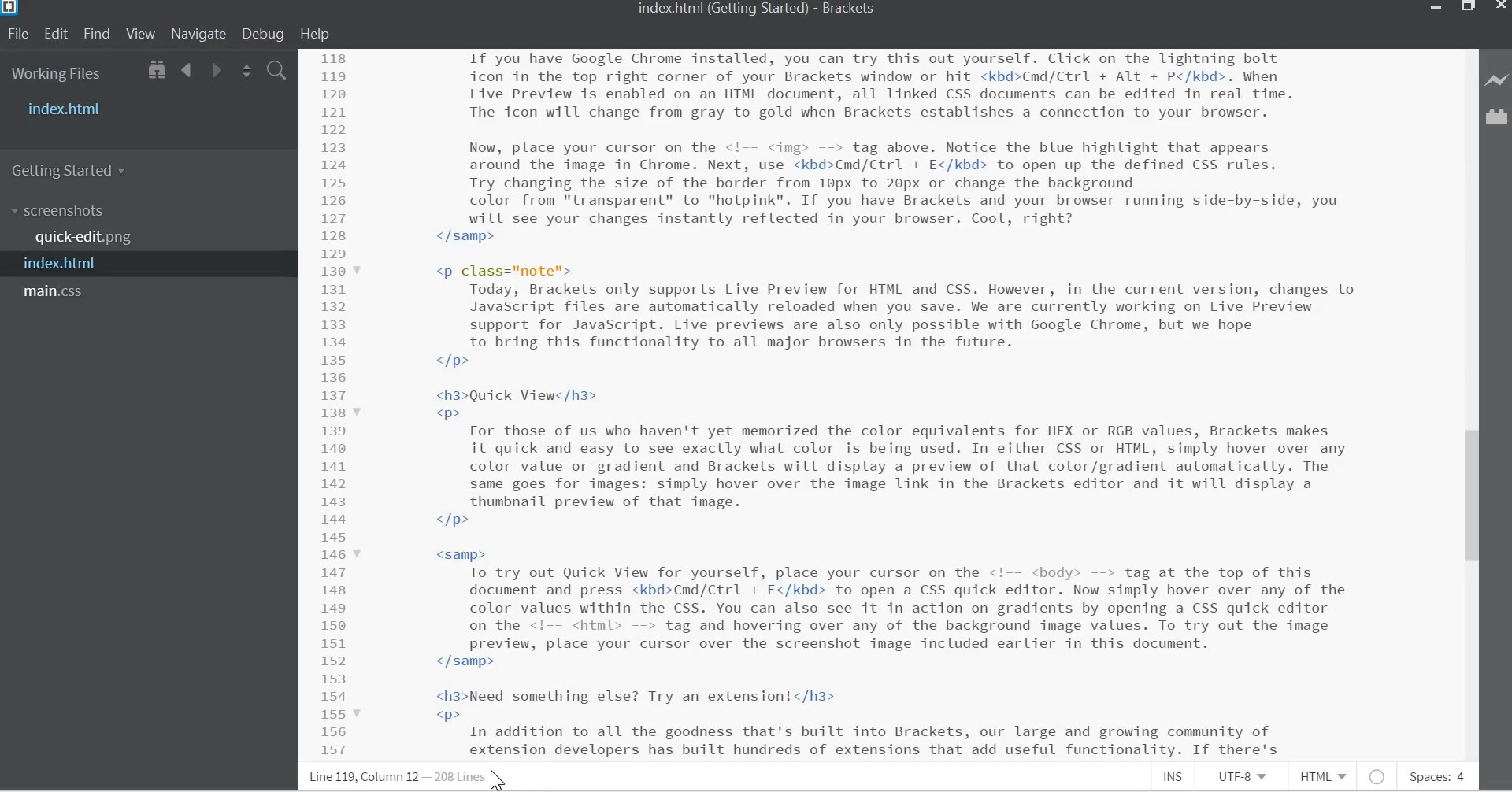 This screenshot has height=792, width=1512. I want to click on CSS code for a website, so click(878, 404).